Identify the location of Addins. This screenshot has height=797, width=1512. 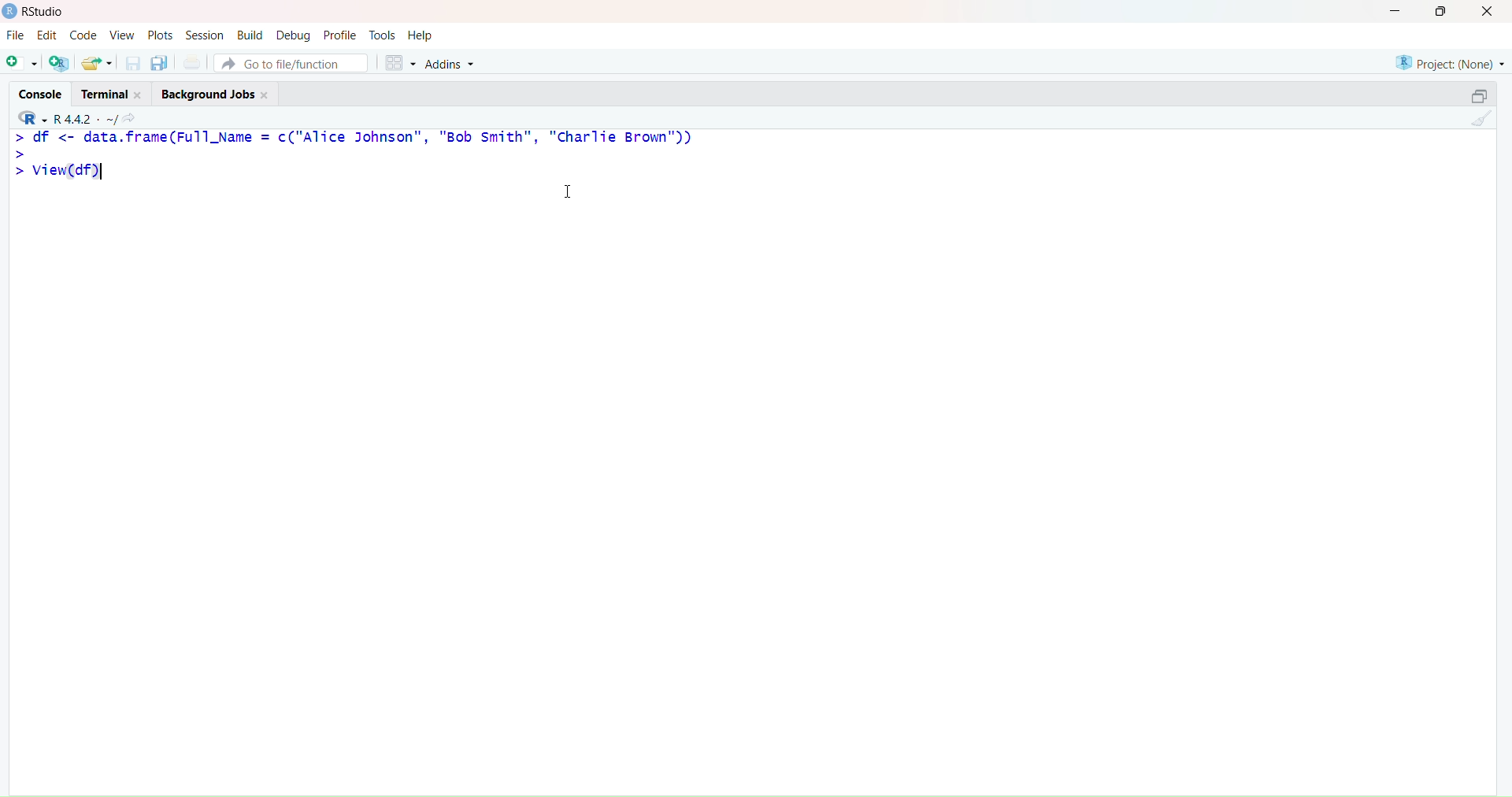
(453, 64).